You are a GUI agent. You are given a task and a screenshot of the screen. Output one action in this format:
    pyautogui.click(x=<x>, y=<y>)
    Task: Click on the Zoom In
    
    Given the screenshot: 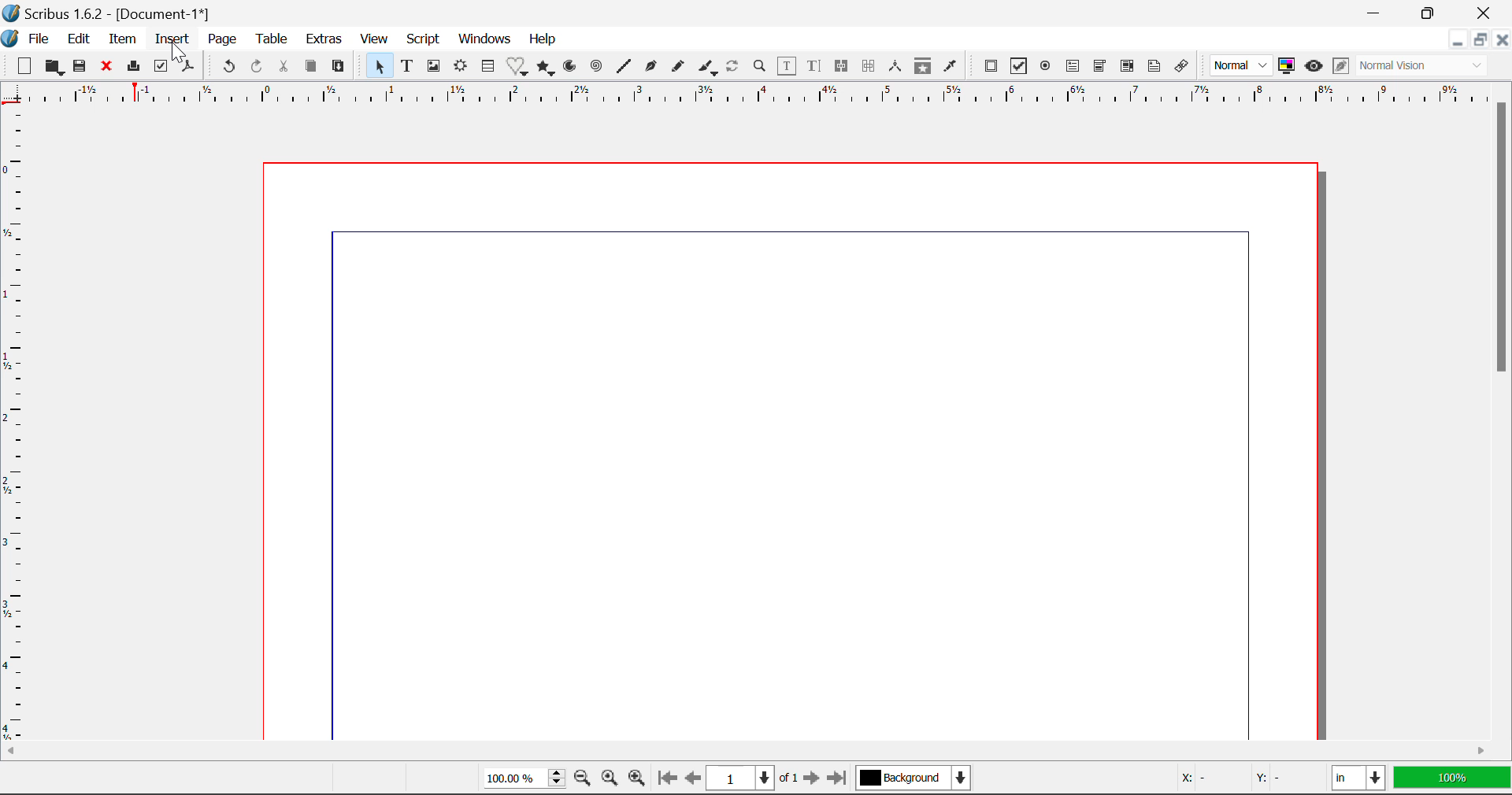 What is the action you would take?
    pyautogui.click(x=637, y=779)
    